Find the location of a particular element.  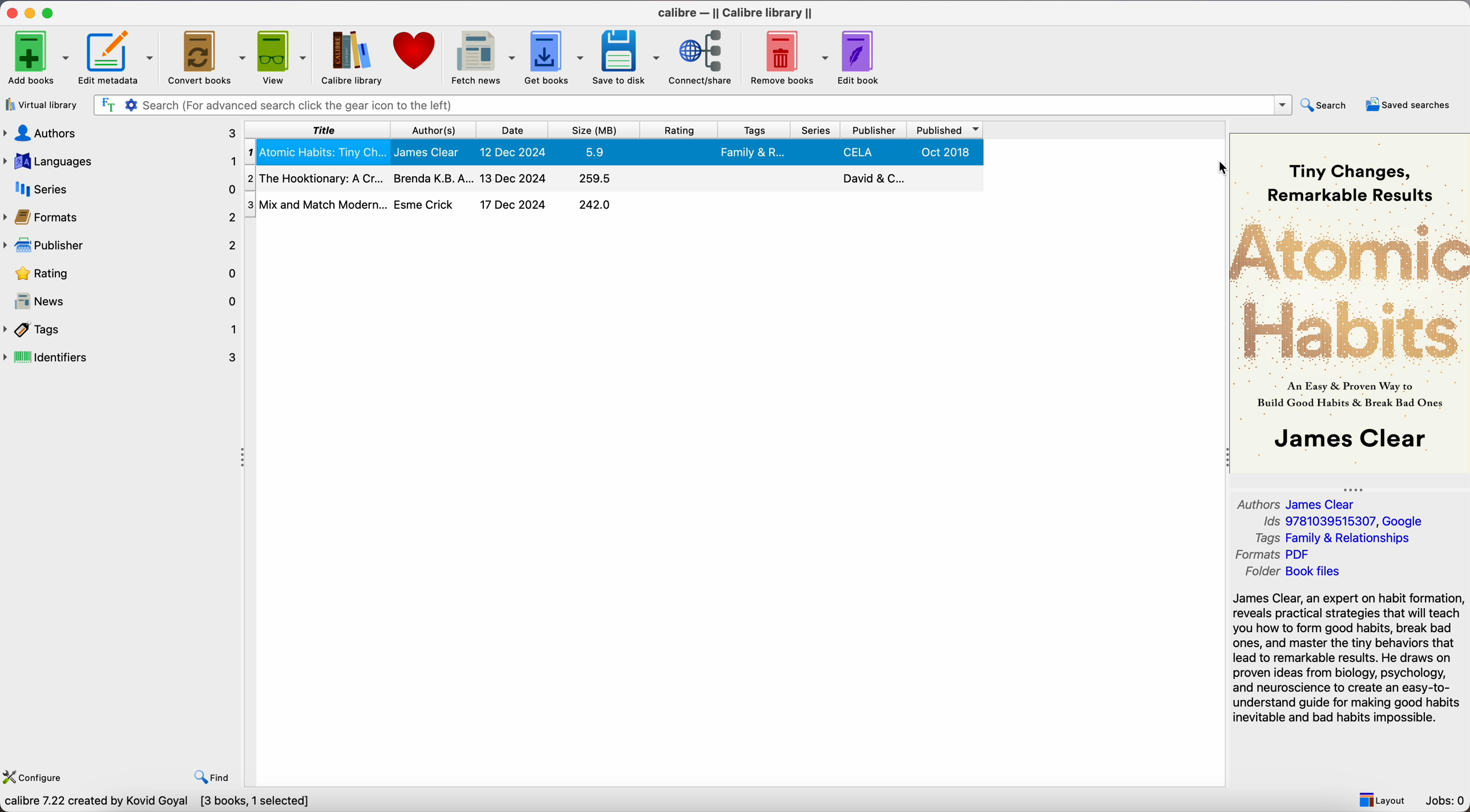

Find is located at coordinates (213, 778).